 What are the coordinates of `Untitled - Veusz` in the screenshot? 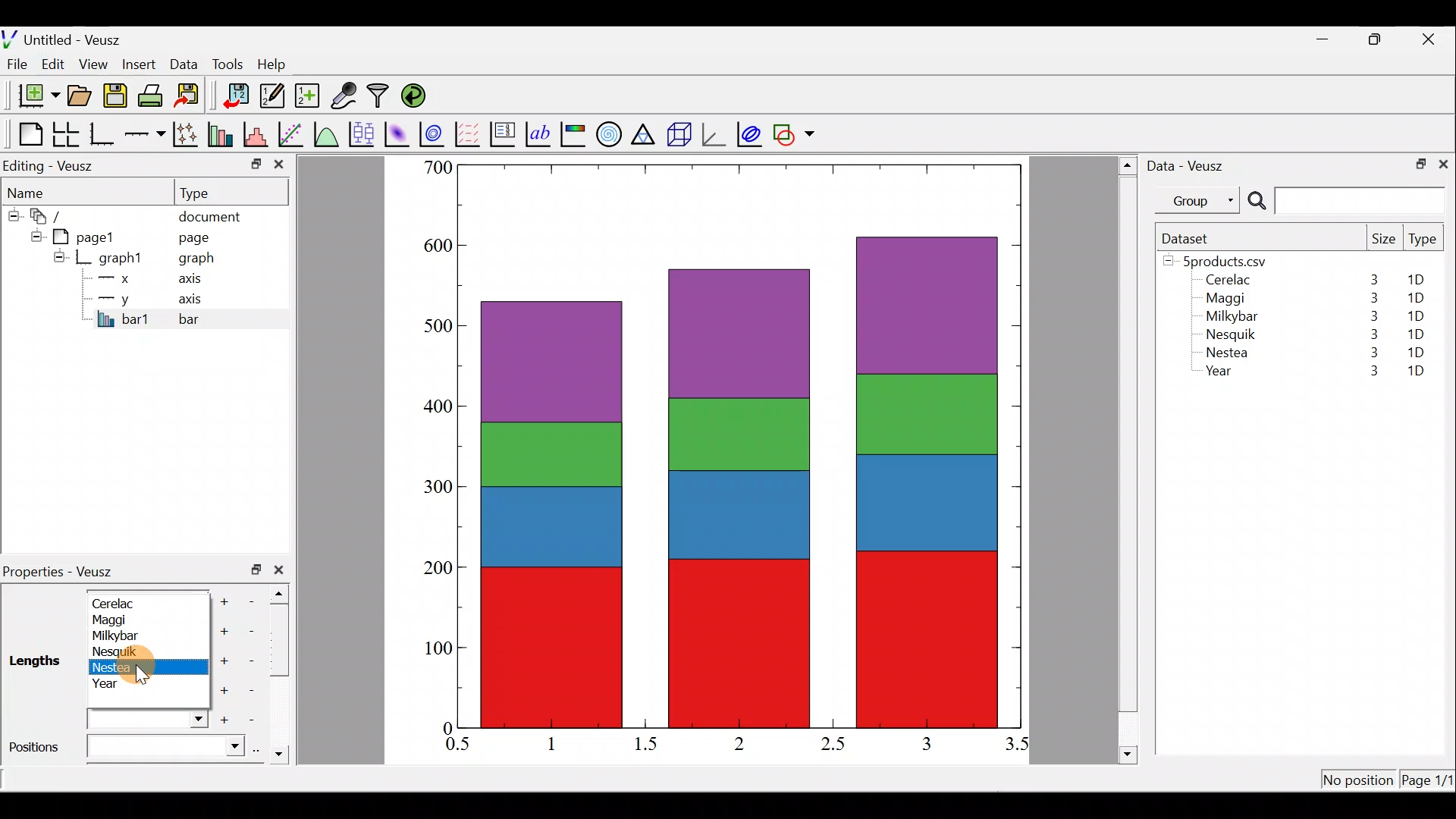 It's located at (67, 37).